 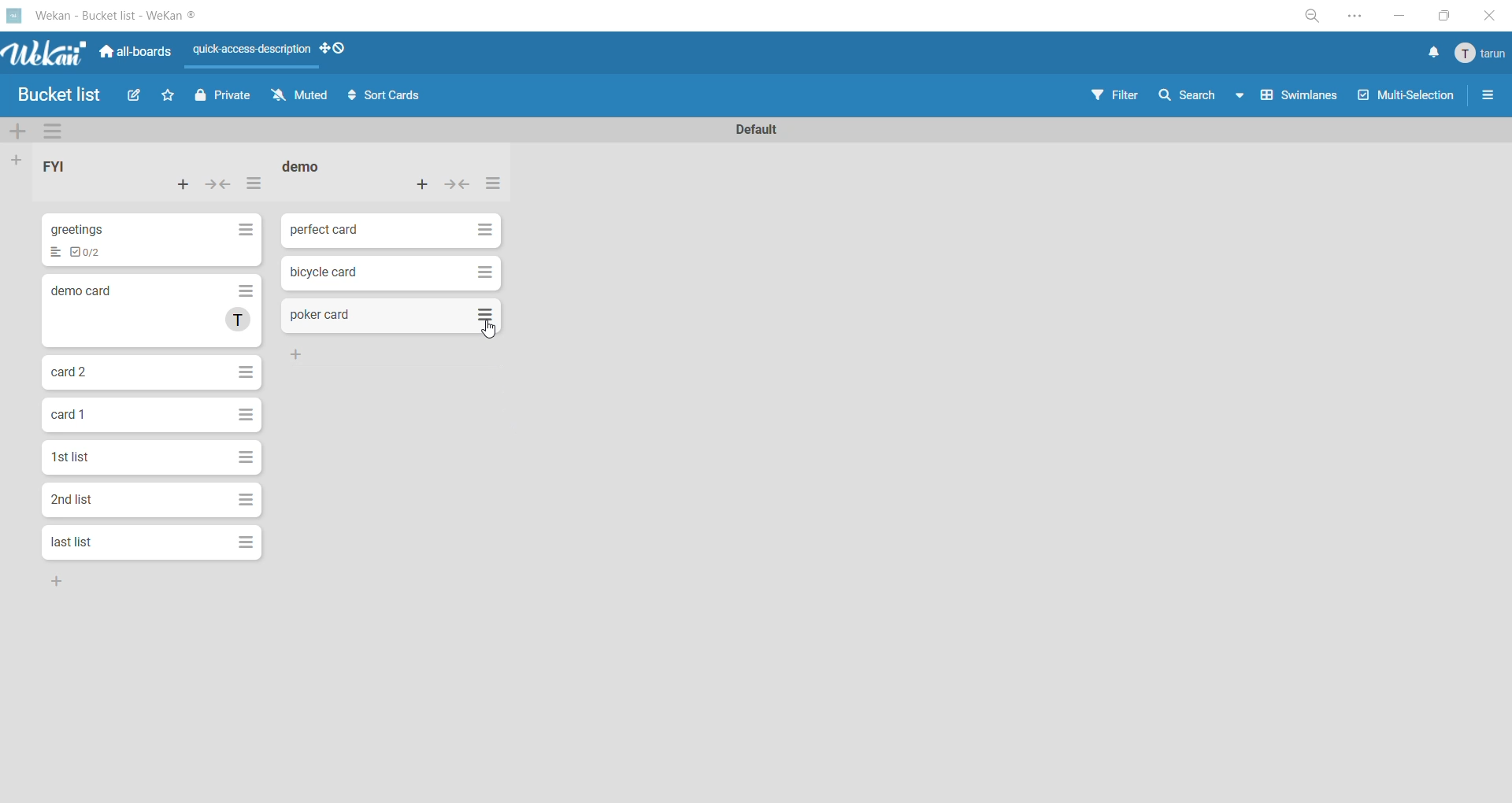 I want to click on star, so click(x=172, y=98).